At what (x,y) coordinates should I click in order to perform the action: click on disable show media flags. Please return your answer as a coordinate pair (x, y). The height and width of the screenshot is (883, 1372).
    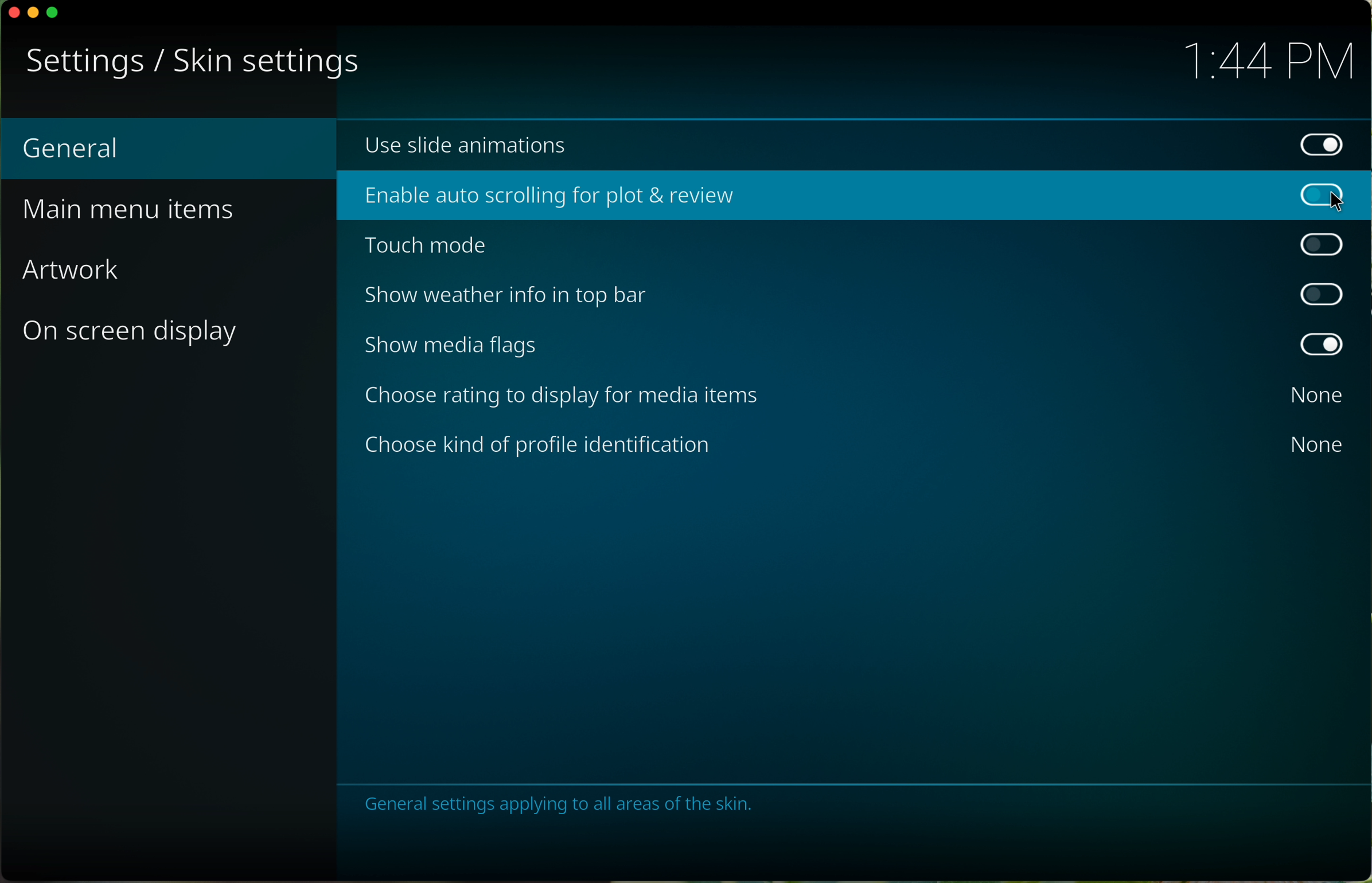
    Looking at the image, I should click on (851, 346).